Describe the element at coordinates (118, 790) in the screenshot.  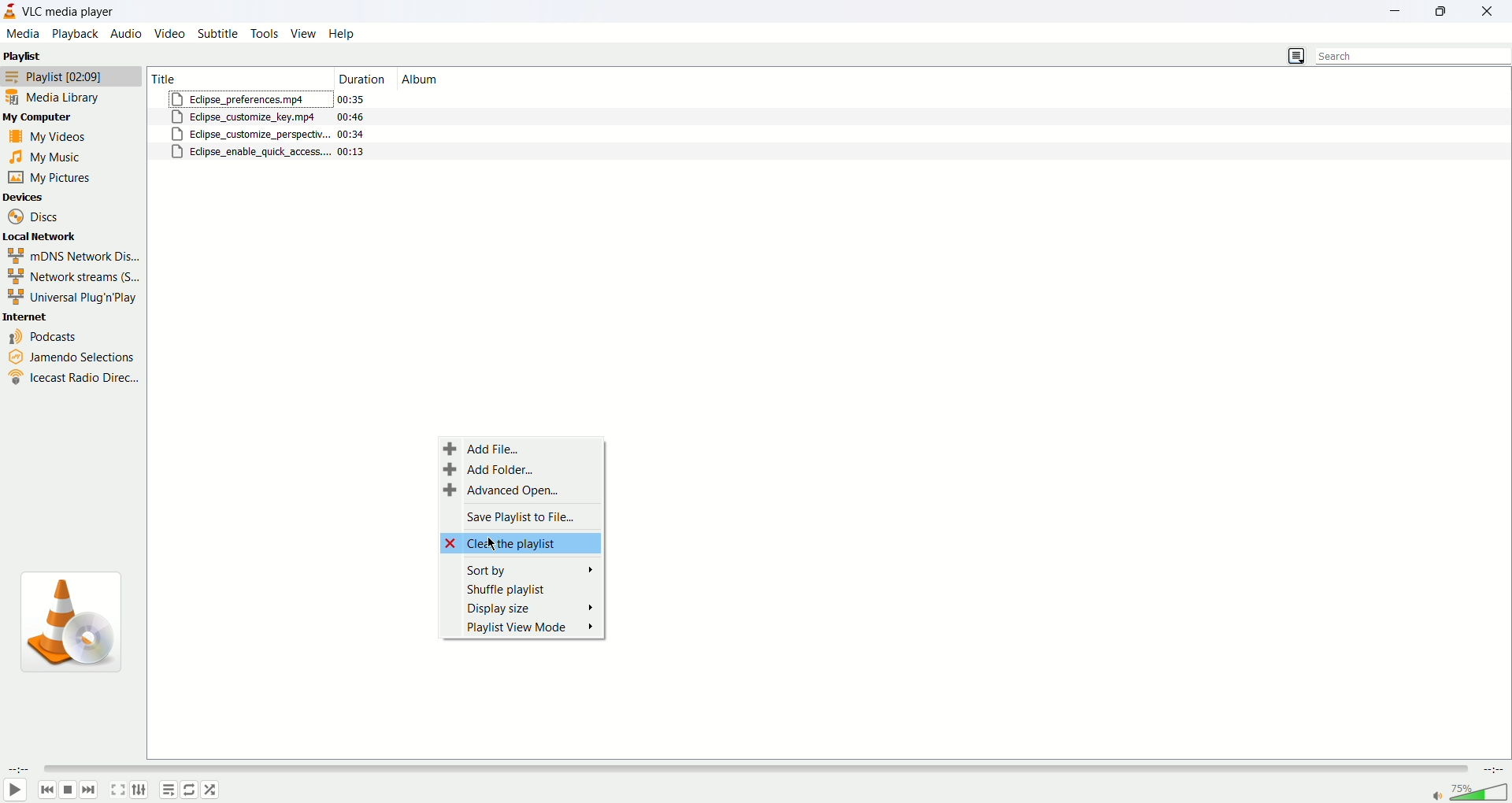
I see `toggle fullscreen` at that location.